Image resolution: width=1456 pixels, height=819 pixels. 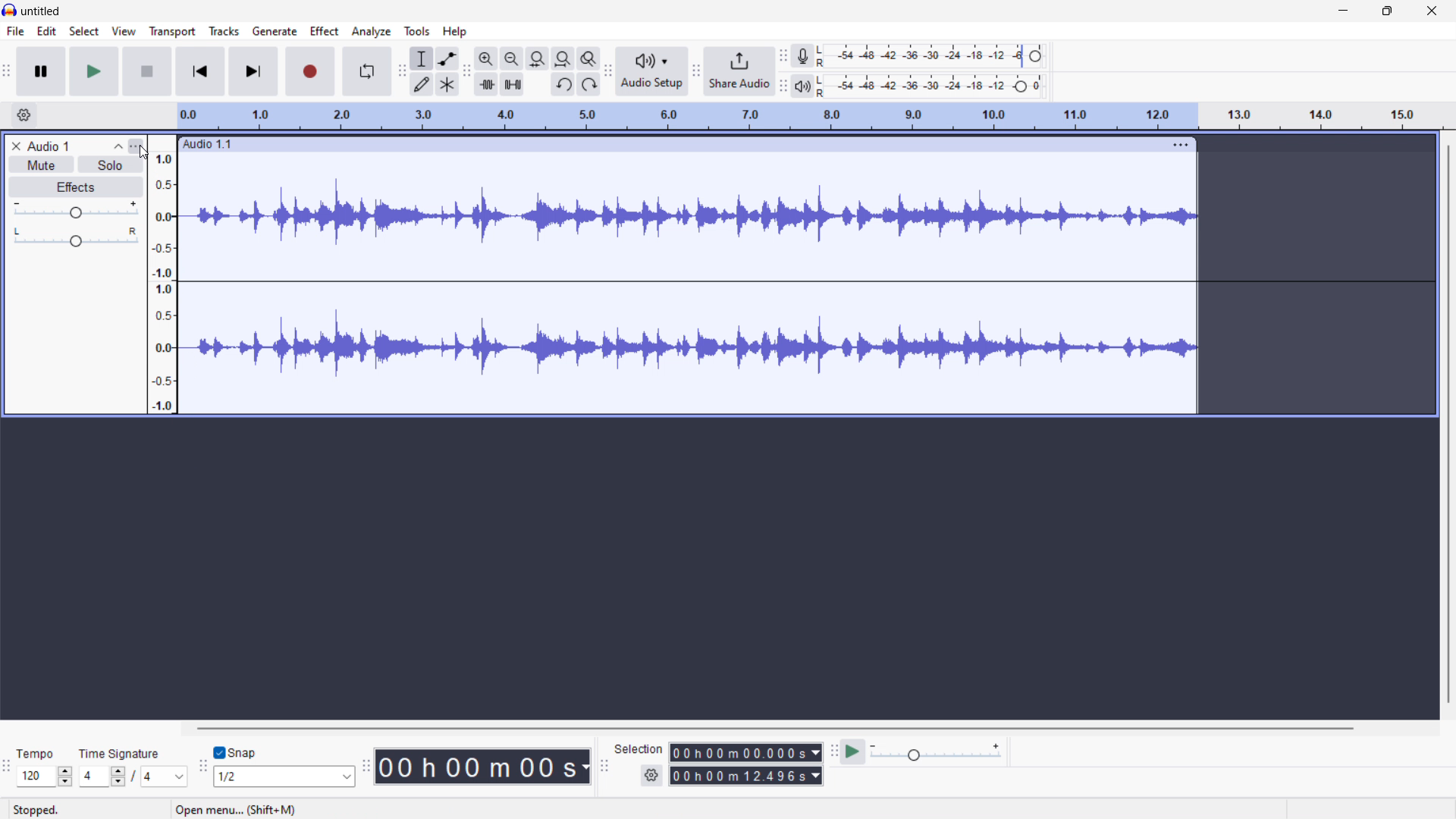 What do you see at coordinates (588, 84) in the screenshot?
I see `redo` at bounding box center [588, 84].